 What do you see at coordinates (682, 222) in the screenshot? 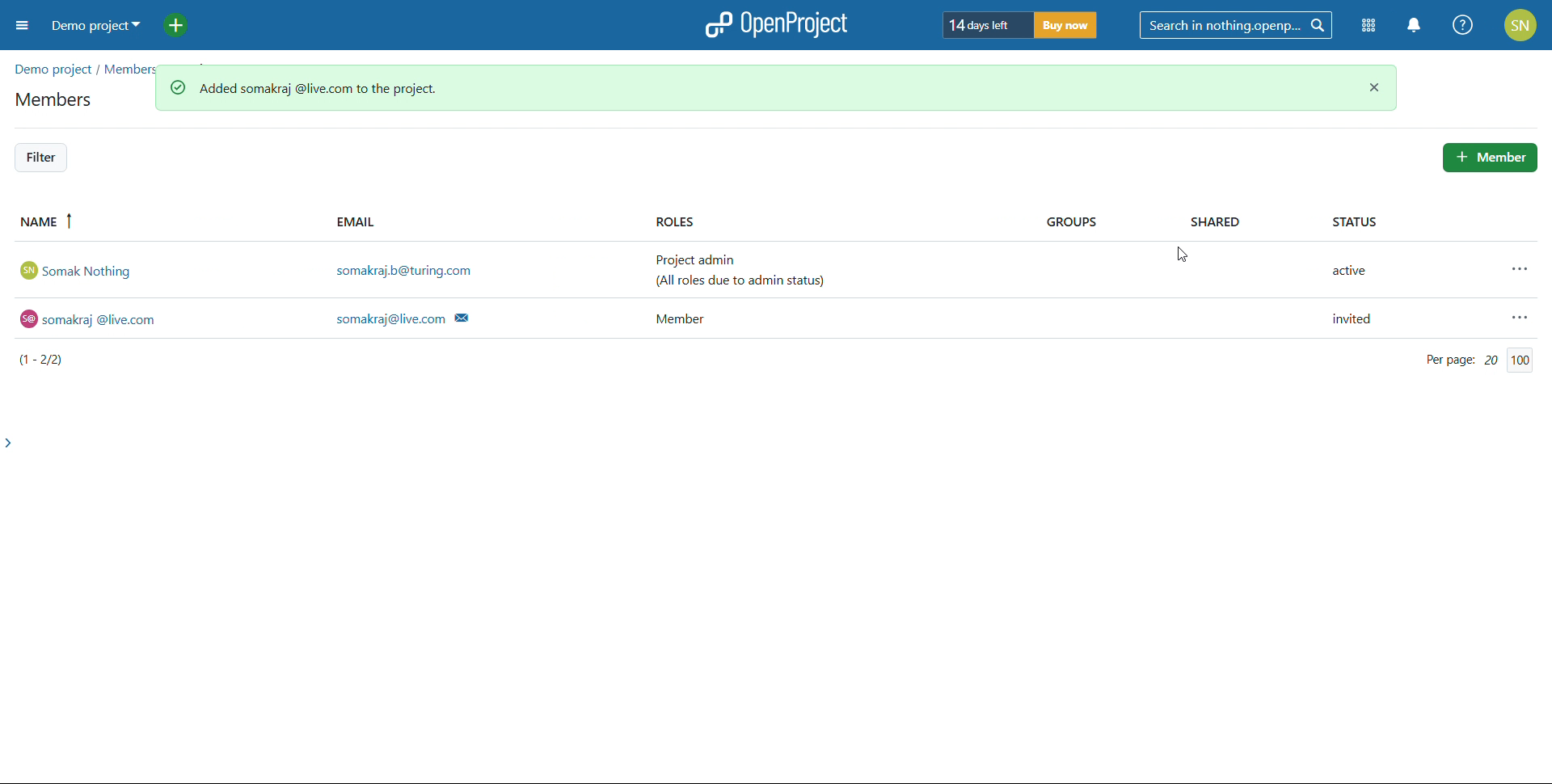
I see `ROLES` at bounding box center [682, 222].